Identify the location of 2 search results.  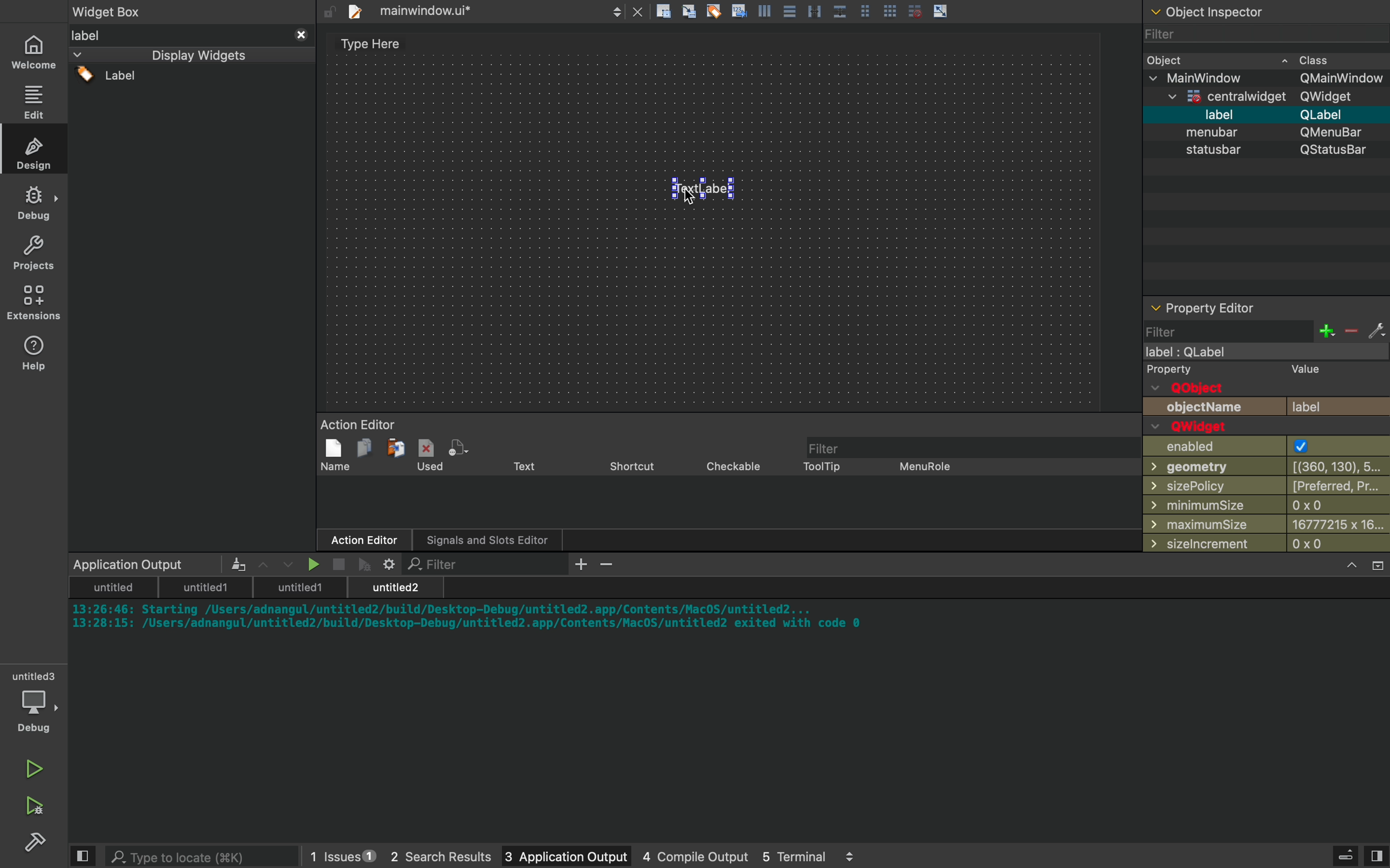
(428, 857).